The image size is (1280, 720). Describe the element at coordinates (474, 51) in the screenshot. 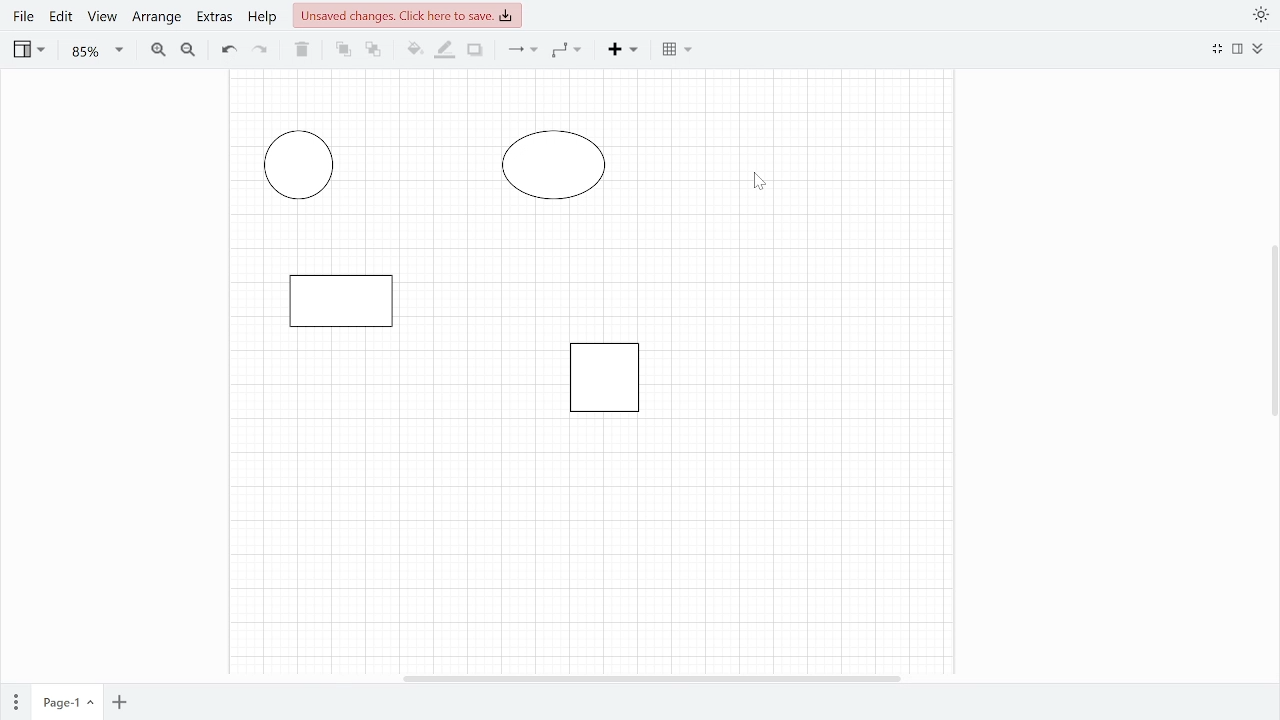

I see `Shadow` at that location.